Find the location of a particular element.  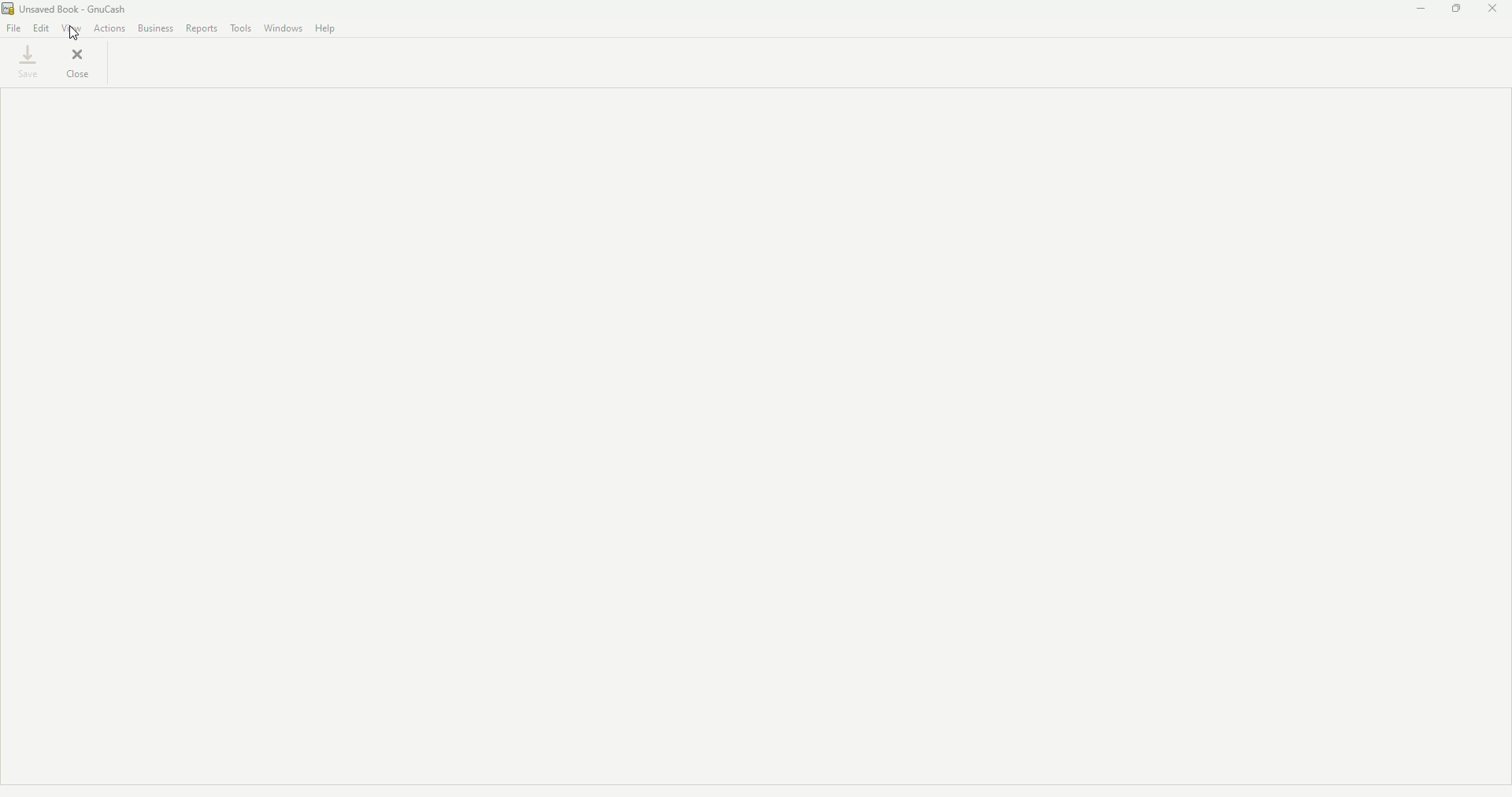

File is located at coordinates (14, 28).